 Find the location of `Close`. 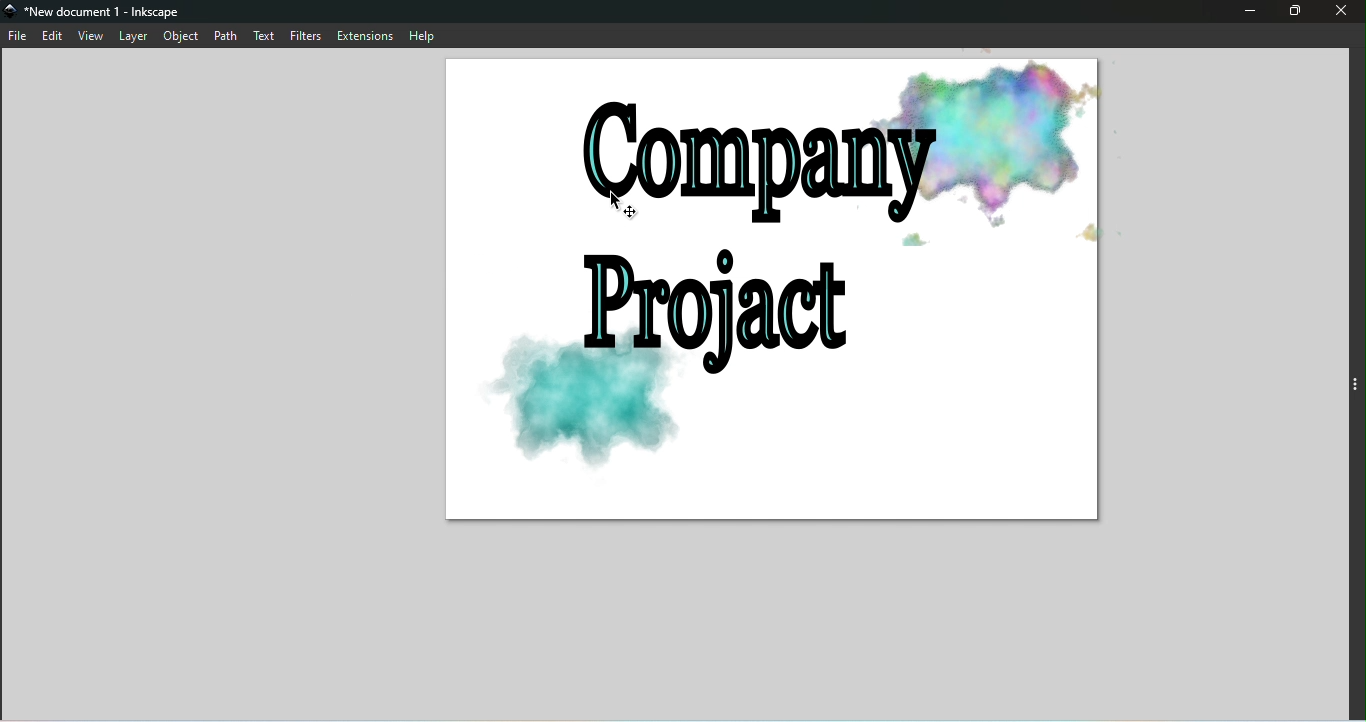

Close is located at coordinates (1338, 13).